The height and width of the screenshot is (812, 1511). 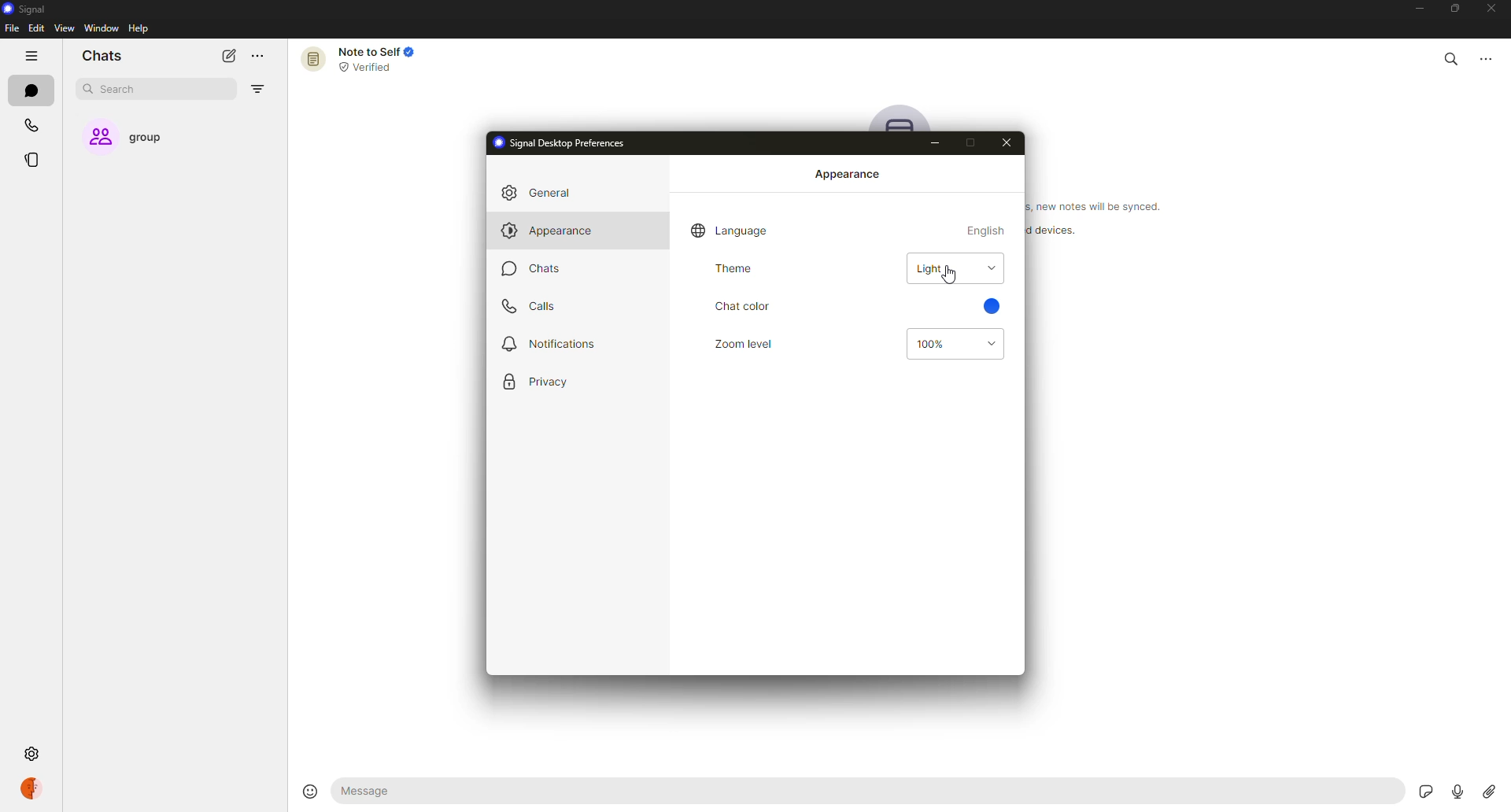 I want to click on maximize, so click(x=968, y=143).